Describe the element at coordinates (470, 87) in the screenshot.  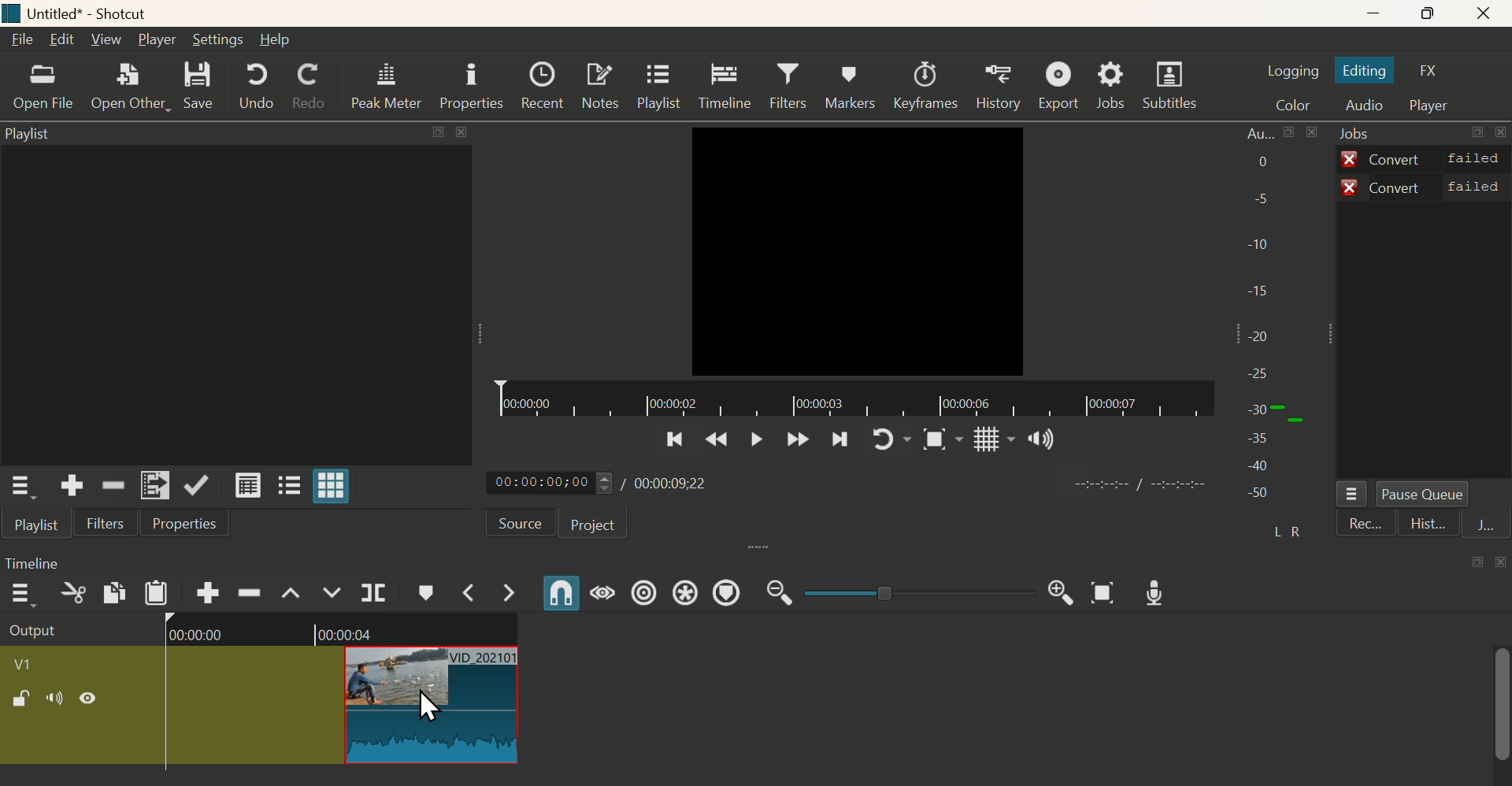
I see `Properties` at that location.